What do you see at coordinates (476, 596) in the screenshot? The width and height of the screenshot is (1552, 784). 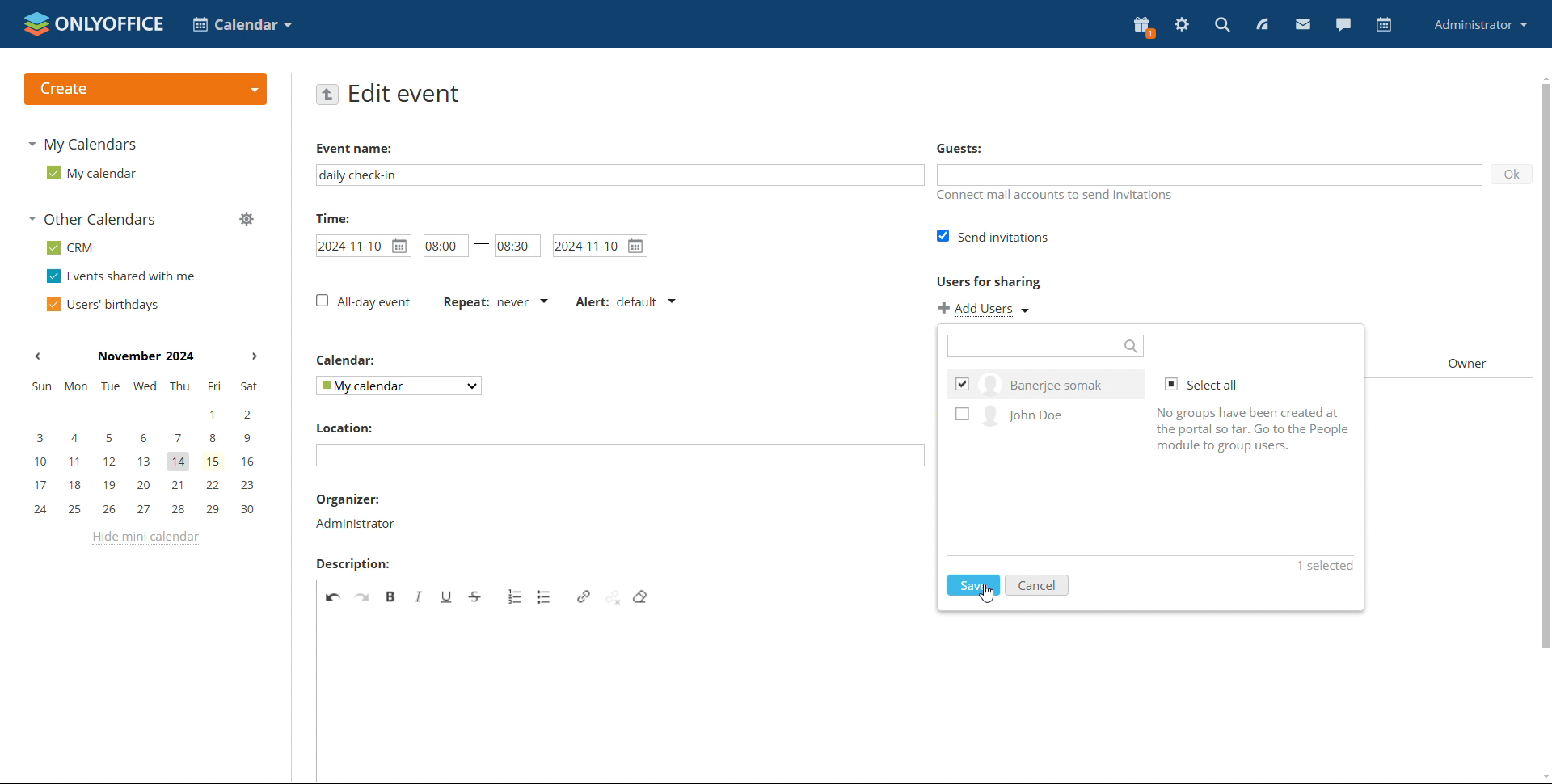 I see `strike through` at bounding box center [476, 596].